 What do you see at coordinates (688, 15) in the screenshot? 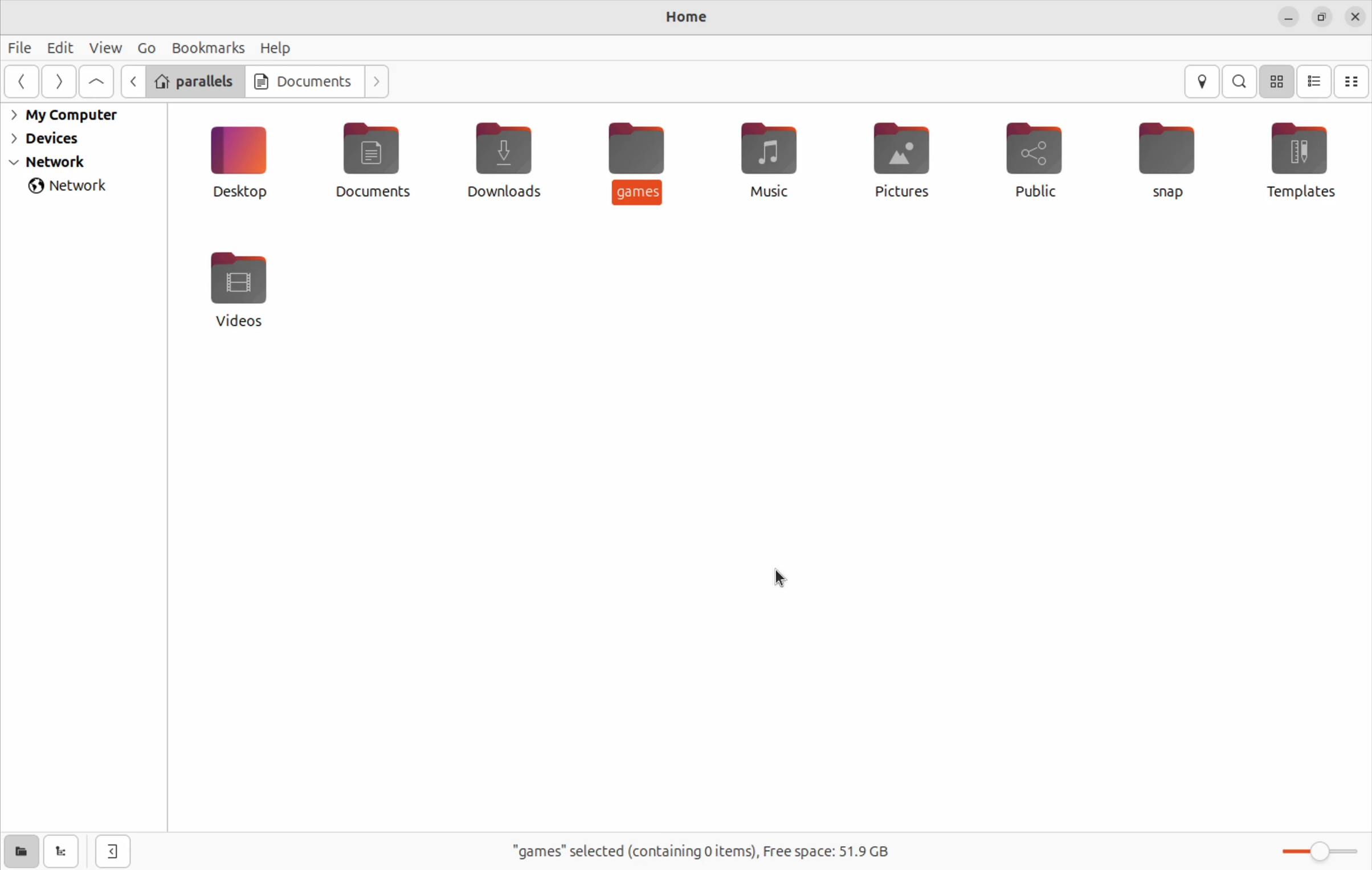
I see `home` at bounding box center [688, 15].